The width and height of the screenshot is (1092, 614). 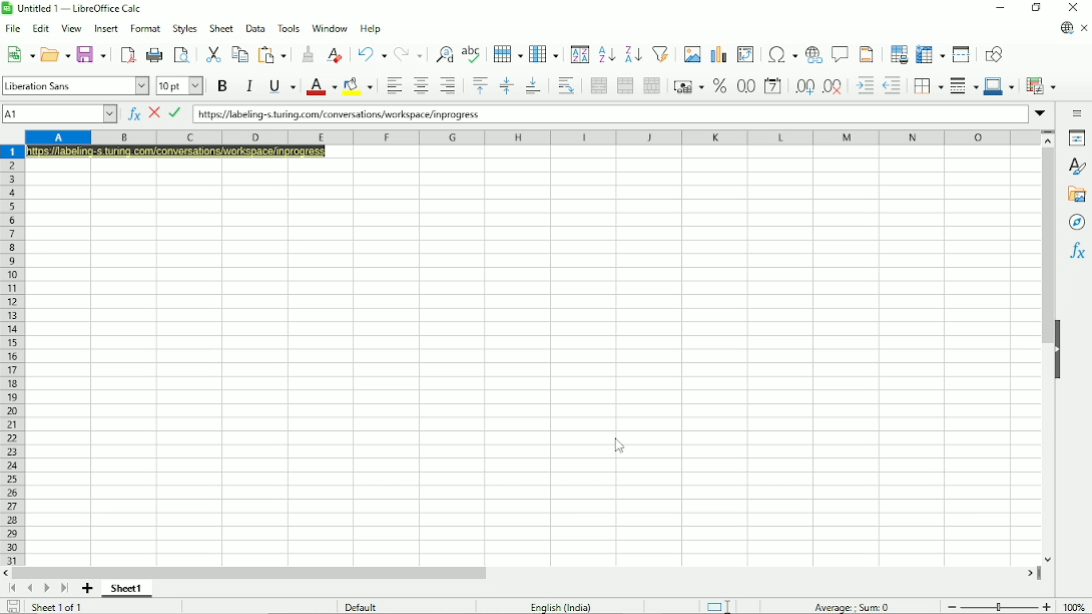 I want to click on Show draw functions, so click(x=995, y=55).